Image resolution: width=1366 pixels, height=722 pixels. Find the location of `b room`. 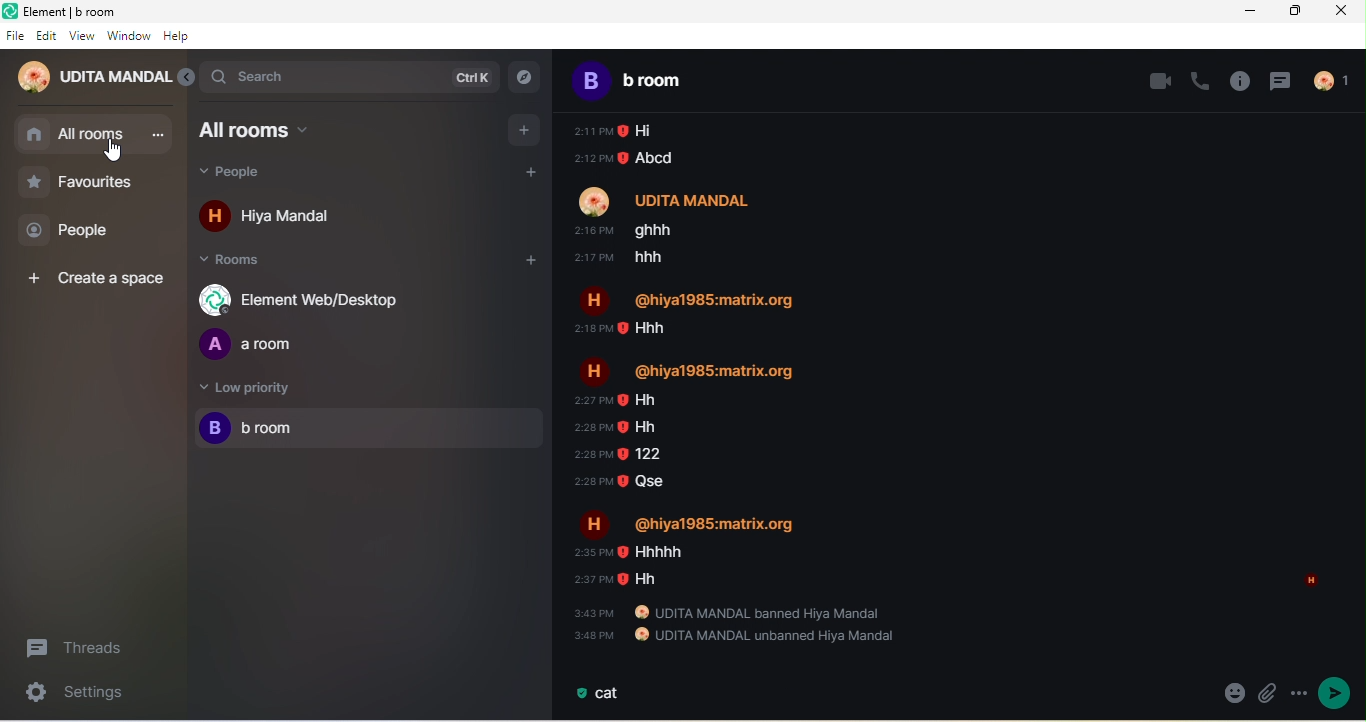

b room is located at coordinates (370, 430).